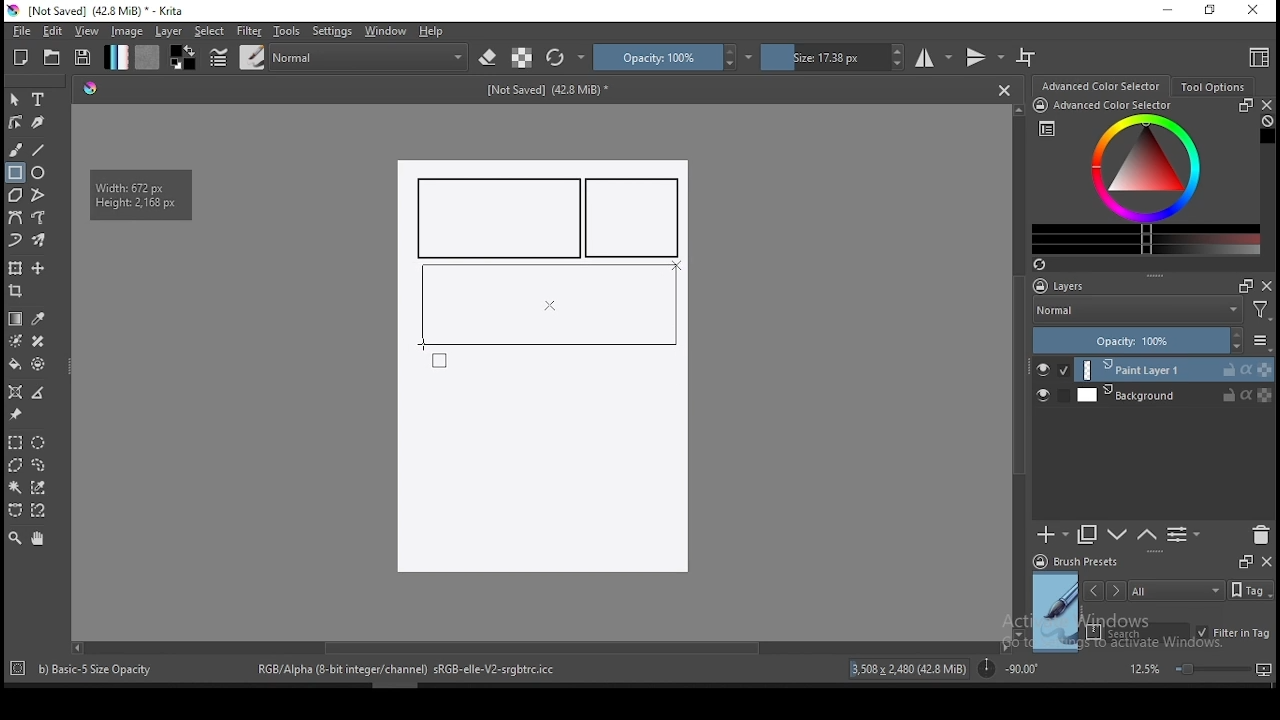 This screenshot has height=720, width=1280. What do you see at coordinates (38, 341) in the screenshot?
I see `smart patch tool` at bounding box center [38, 341].